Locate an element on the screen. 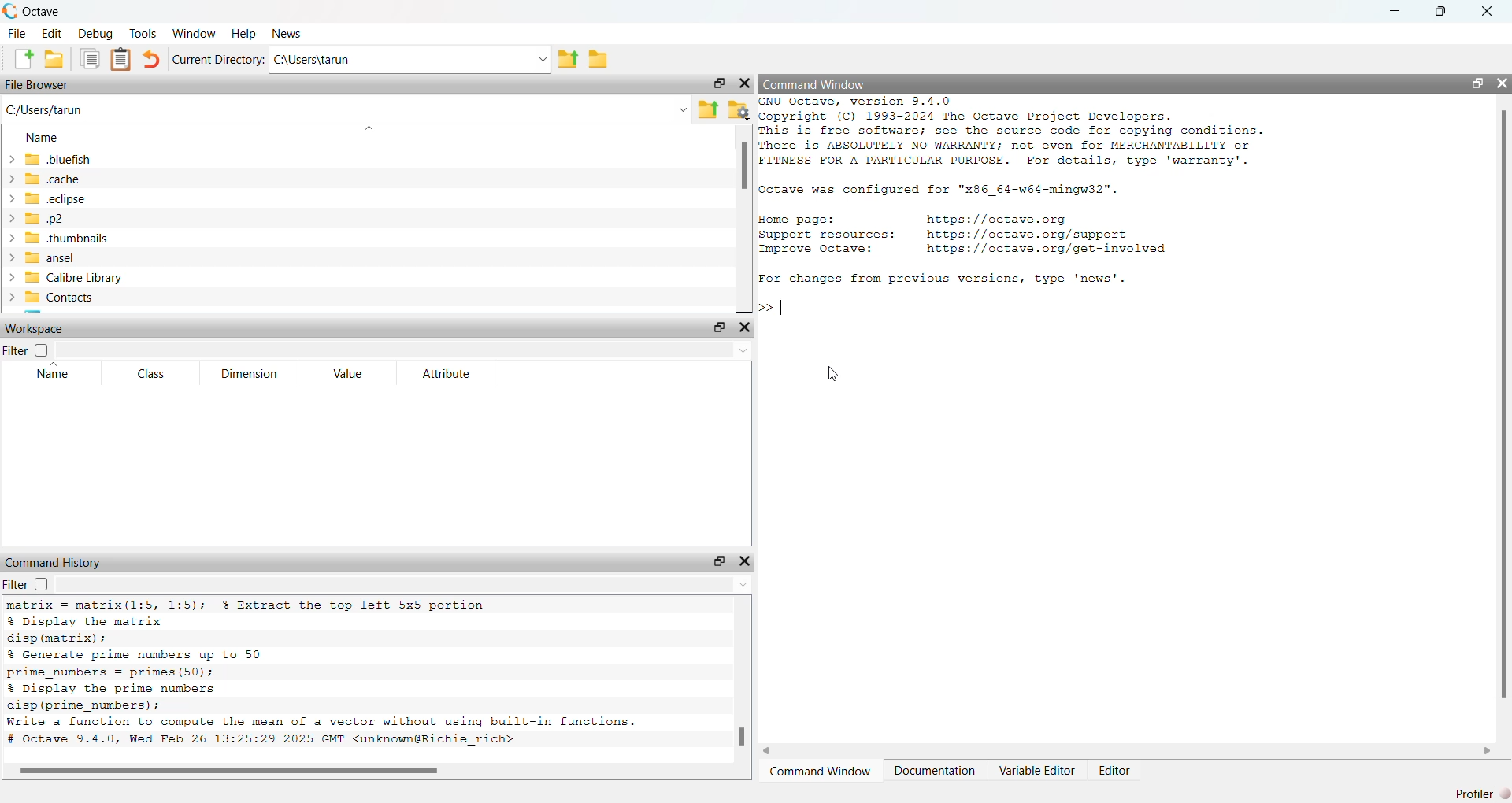 This screenshot has width=1512, height=803. open in separate window is located at coordinates (721, 83).